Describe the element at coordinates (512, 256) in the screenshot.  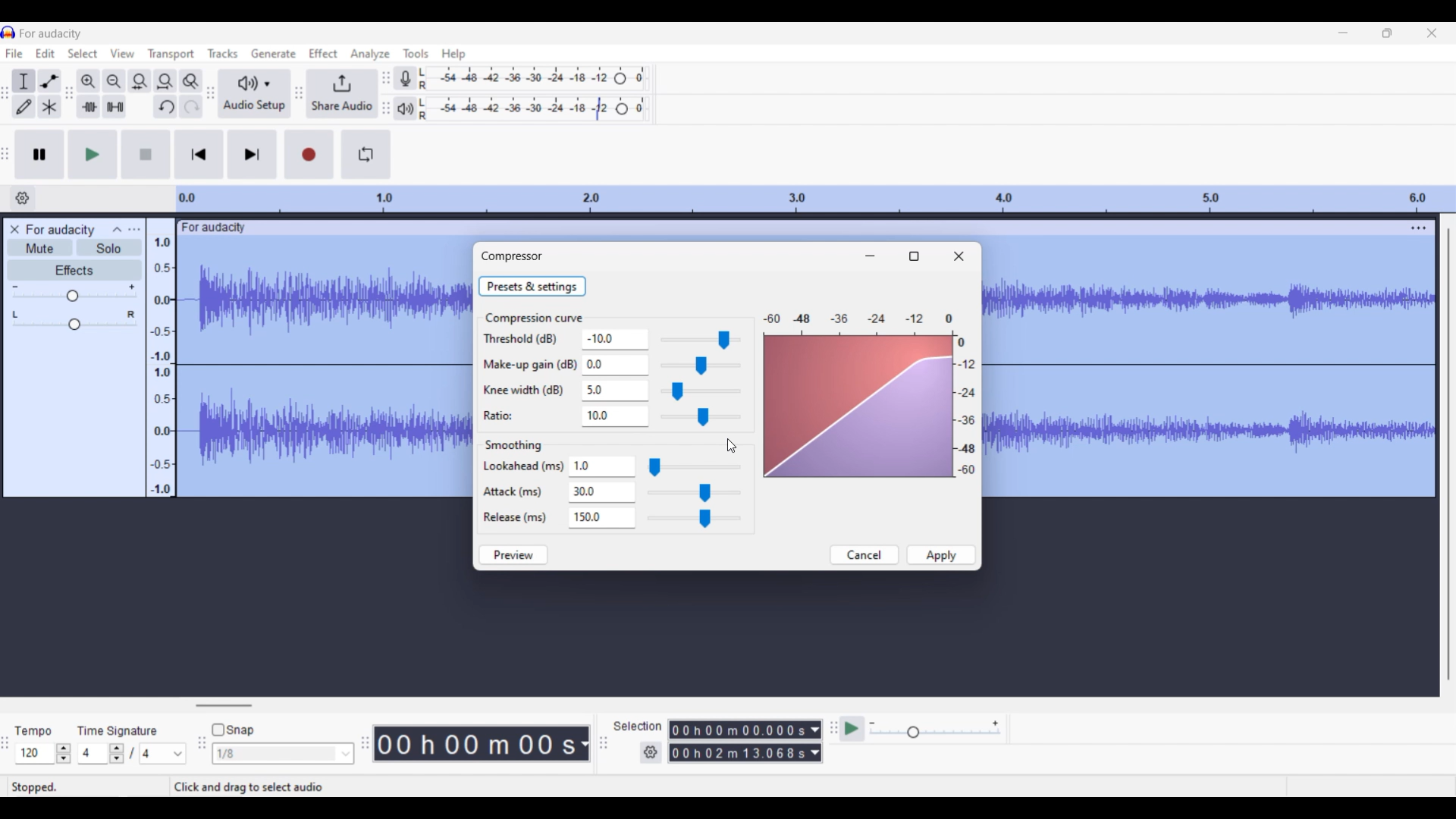
I see `Compressor` at that location.